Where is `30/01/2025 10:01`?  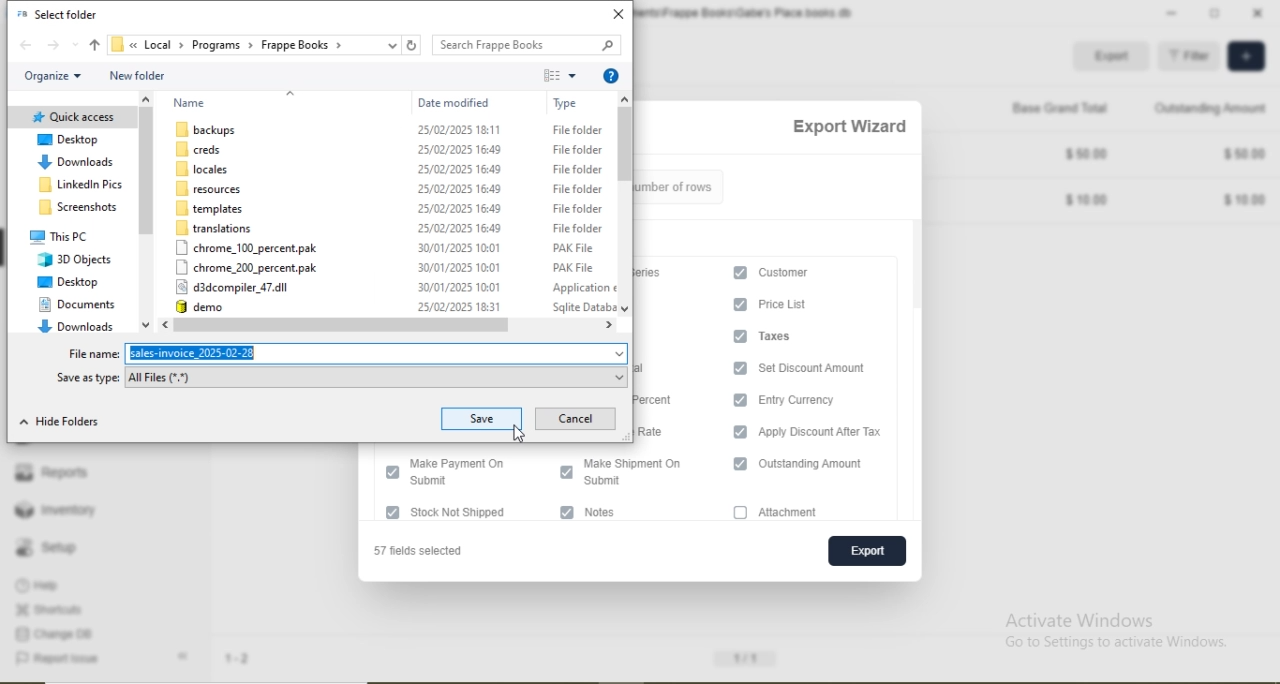
30/01/2025 10:01 is located at coordinates (458, 287).